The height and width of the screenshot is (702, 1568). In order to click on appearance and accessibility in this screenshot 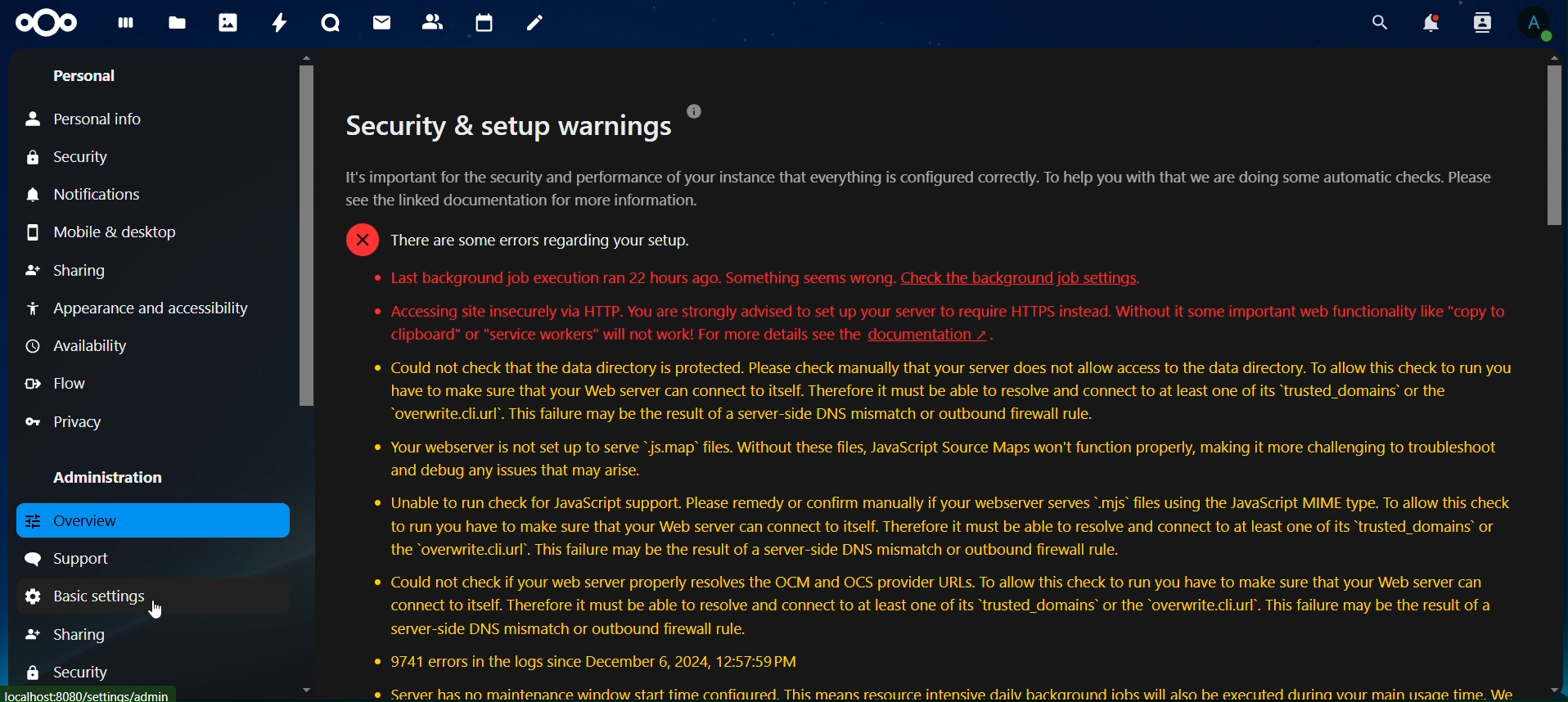, I will do `click(141, 311)`.